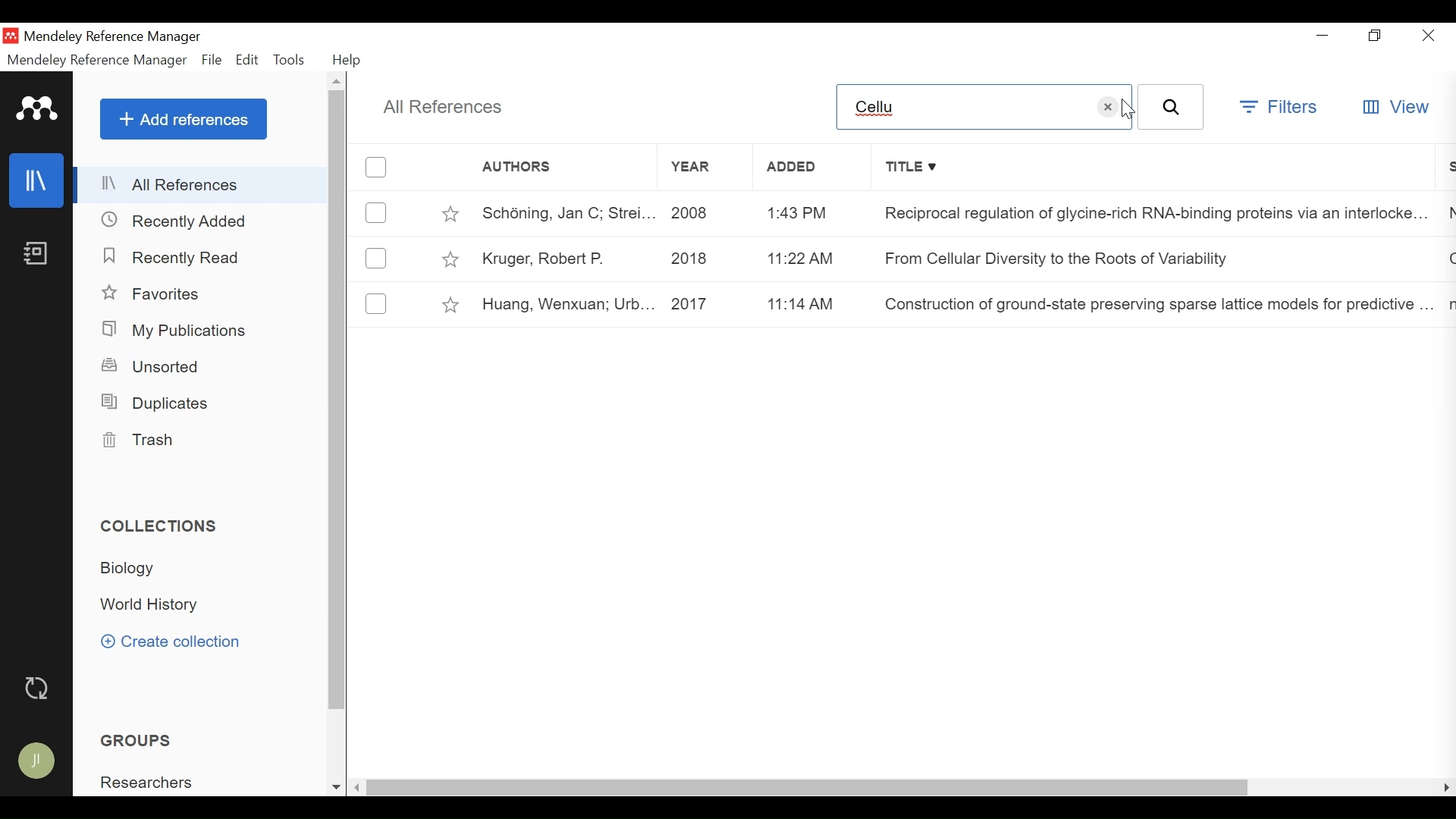  Describe the element at coordinates (338, 82) in the screenshot. I see `Scroll up` at that location.